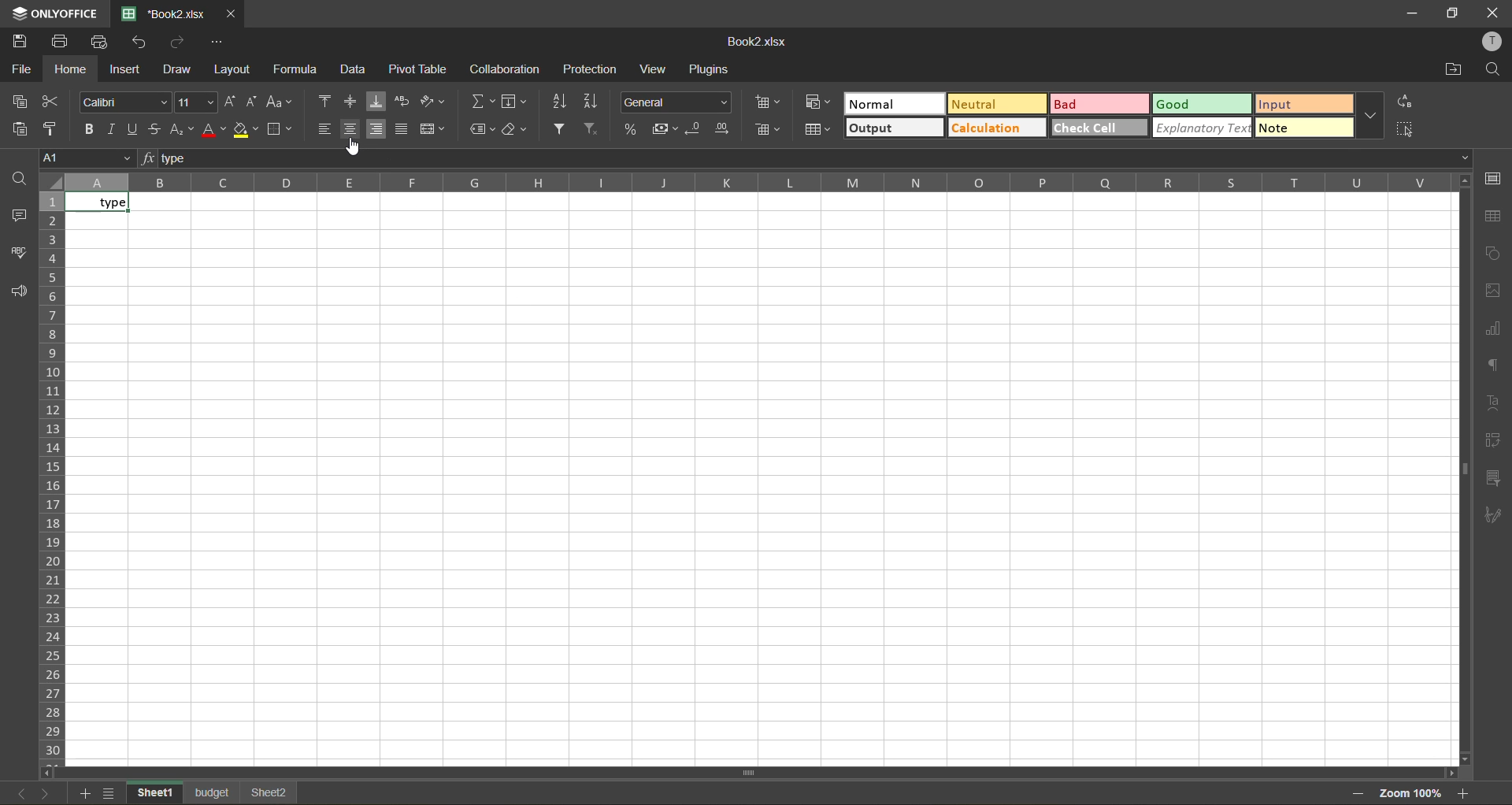 This screenshot has width=1512, height=805. What do you see at coordinates (1299, 105) in the screenshot?
I see `input` at bounding box center [1299, 105].